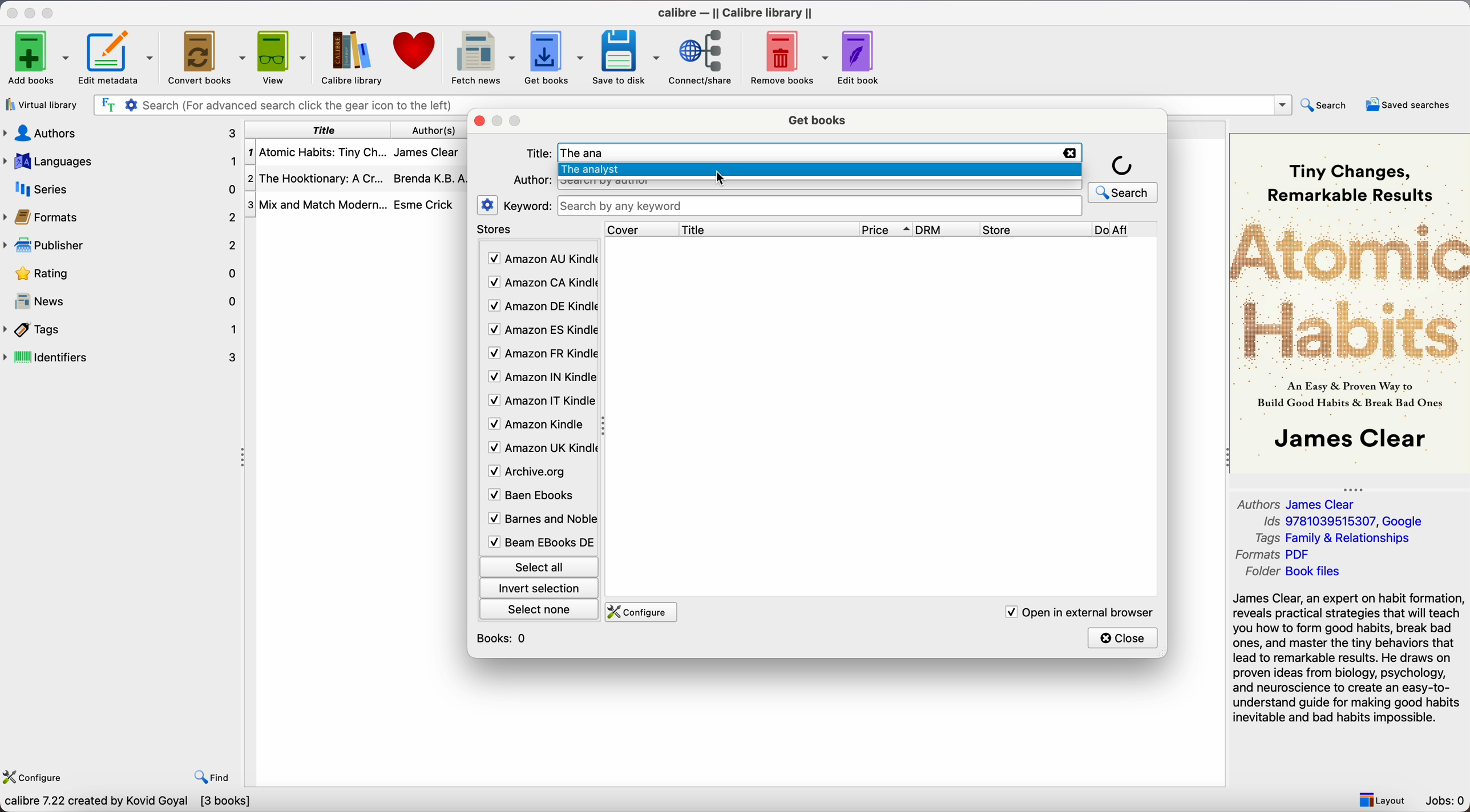  What do you see at coordinates (122, 132) in the screenshot?
I see `authors` at bounding box center [122, 132].